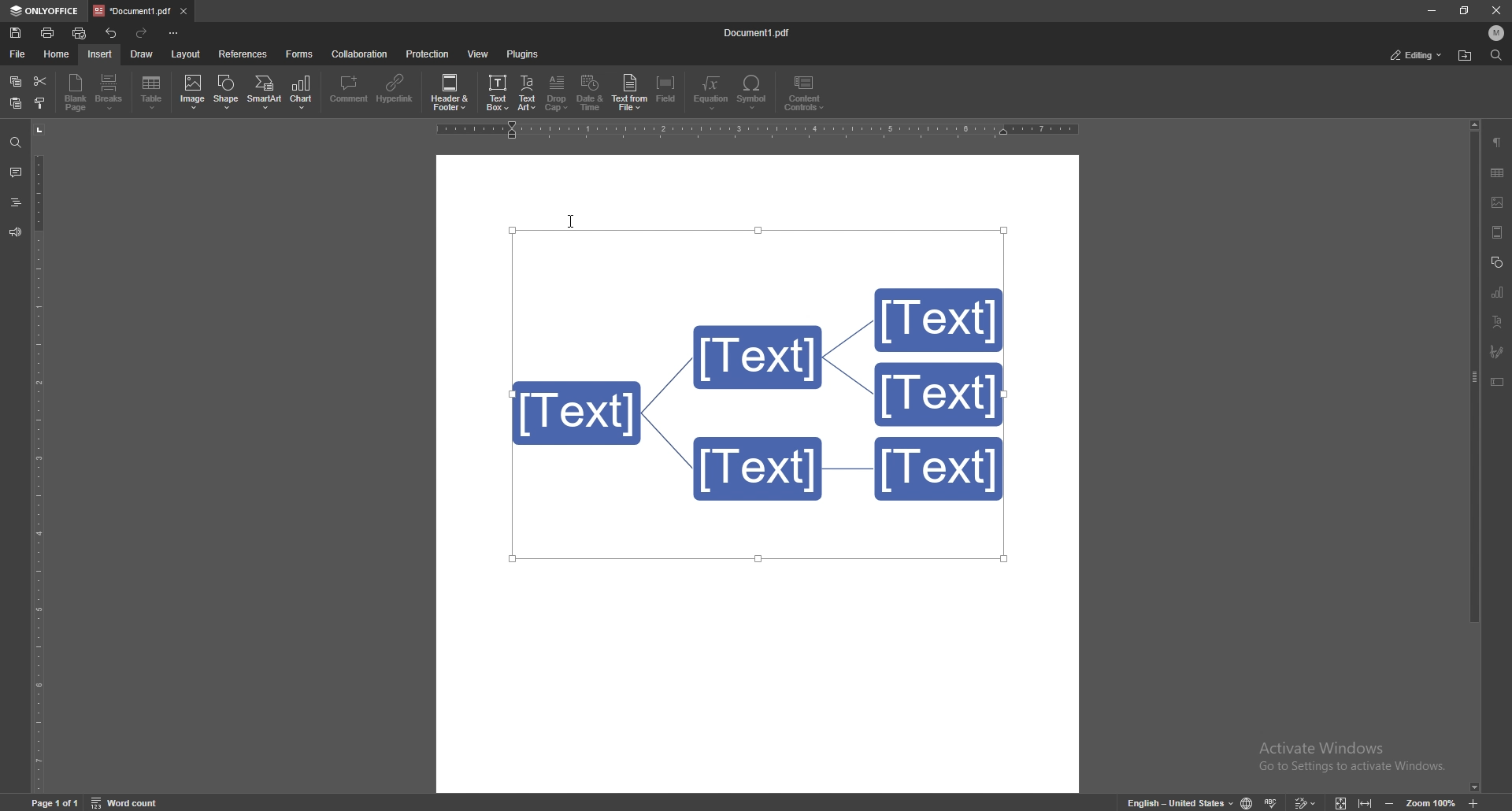 This screenshot has height=811, width=1512. Describe the element at coordinates (20, 54) in the screenshot. I see `file` at that location.